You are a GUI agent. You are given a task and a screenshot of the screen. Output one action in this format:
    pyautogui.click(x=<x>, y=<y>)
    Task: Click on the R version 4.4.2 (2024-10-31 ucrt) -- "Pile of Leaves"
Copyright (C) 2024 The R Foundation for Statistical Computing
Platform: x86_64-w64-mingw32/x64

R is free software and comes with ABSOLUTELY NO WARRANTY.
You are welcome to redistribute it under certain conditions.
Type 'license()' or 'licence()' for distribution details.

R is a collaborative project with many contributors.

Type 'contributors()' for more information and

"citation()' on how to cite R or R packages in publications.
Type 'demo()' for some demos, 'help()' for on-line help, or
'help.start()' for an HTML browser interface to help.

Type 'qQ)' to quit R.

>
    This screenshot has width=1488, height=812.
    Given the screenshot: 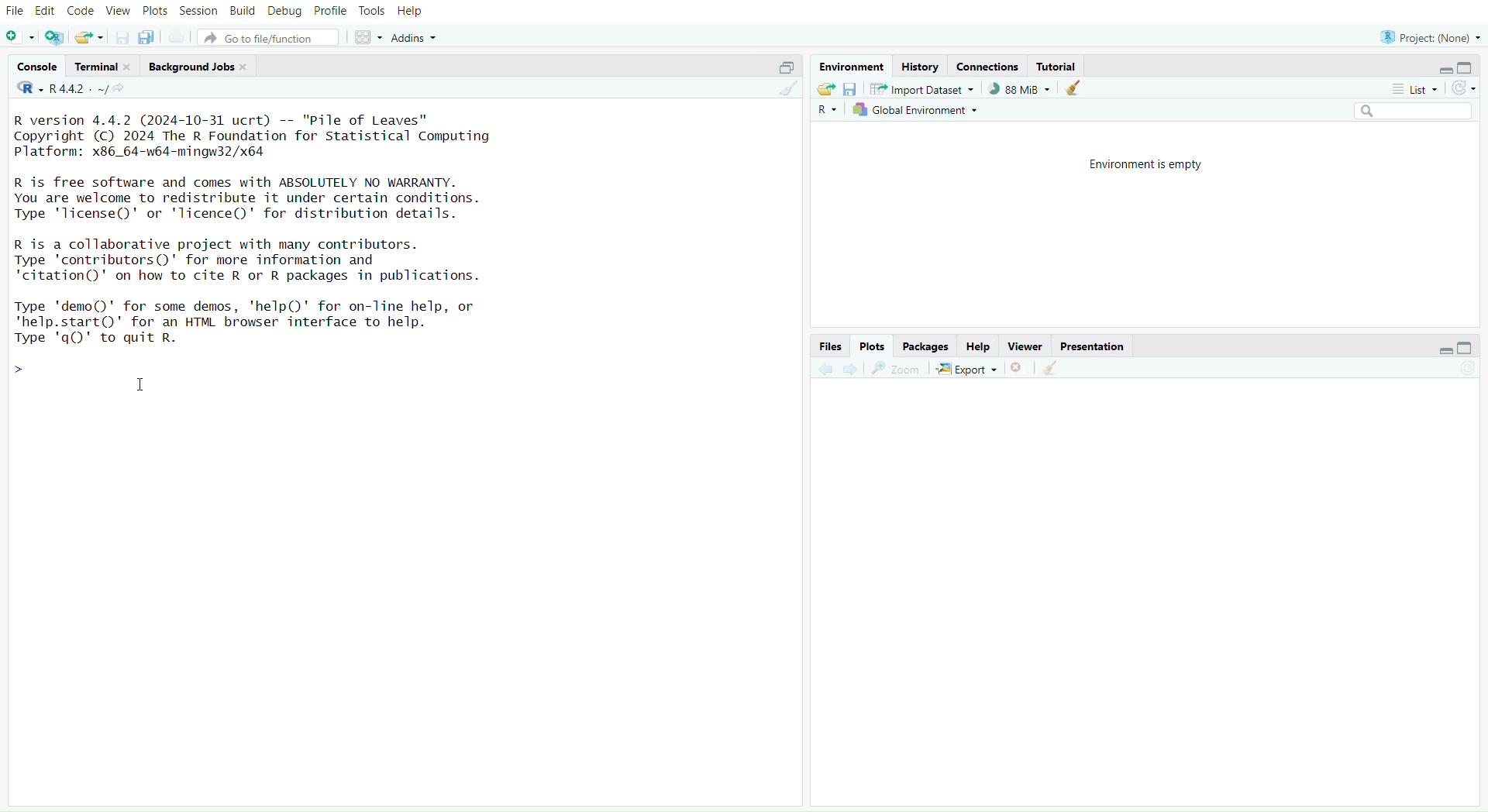 What is the action you would take?
    pyautogui.click(x=283, y=246)
    